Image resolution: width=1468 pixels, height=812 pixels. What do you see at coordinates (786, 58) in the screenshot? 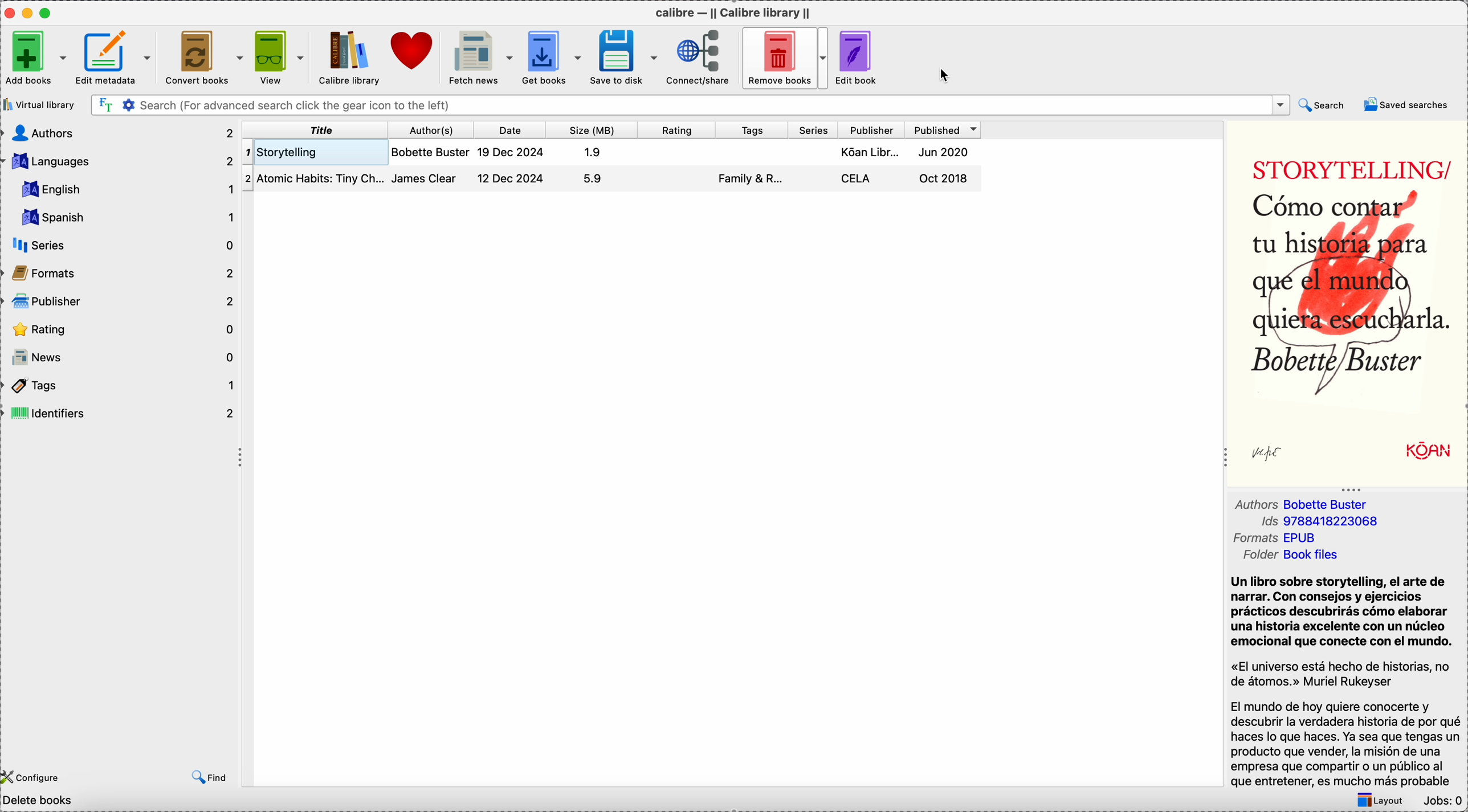
I see `remove books` at bounding box center [786, 58].